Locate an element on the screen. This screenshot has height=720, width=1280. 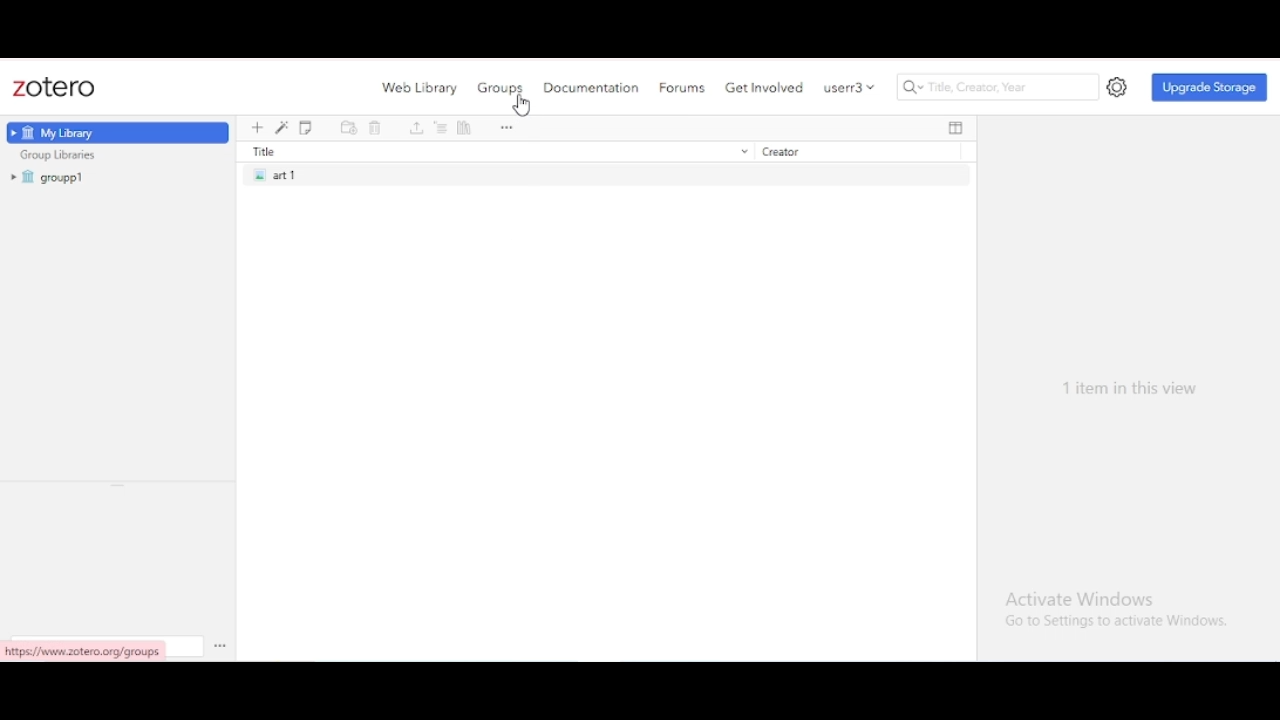
tag selector options is located at coordinates (220, 645).